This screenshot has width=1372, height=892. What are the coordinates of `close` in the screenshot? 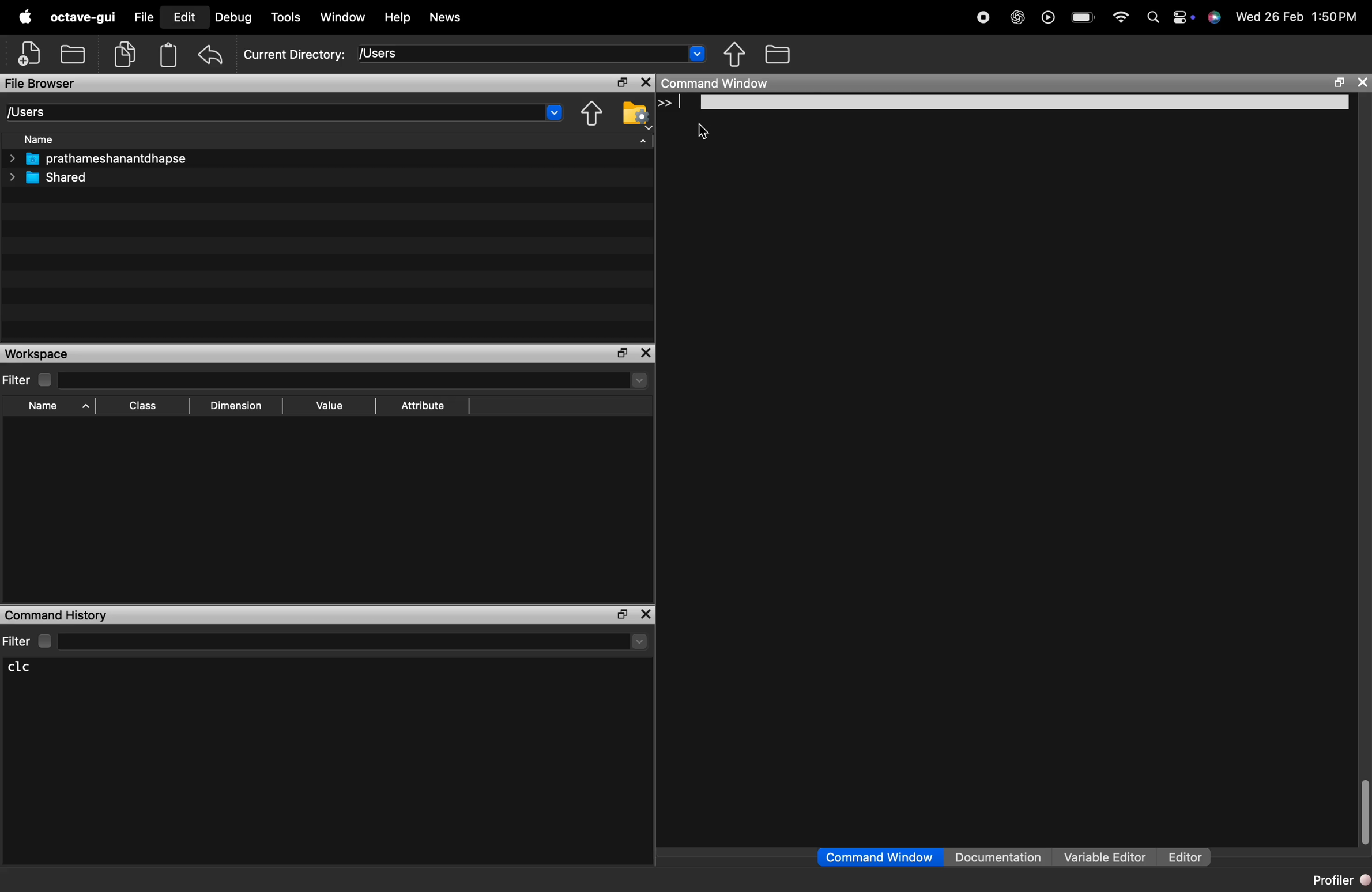 It's located at (646, 614).